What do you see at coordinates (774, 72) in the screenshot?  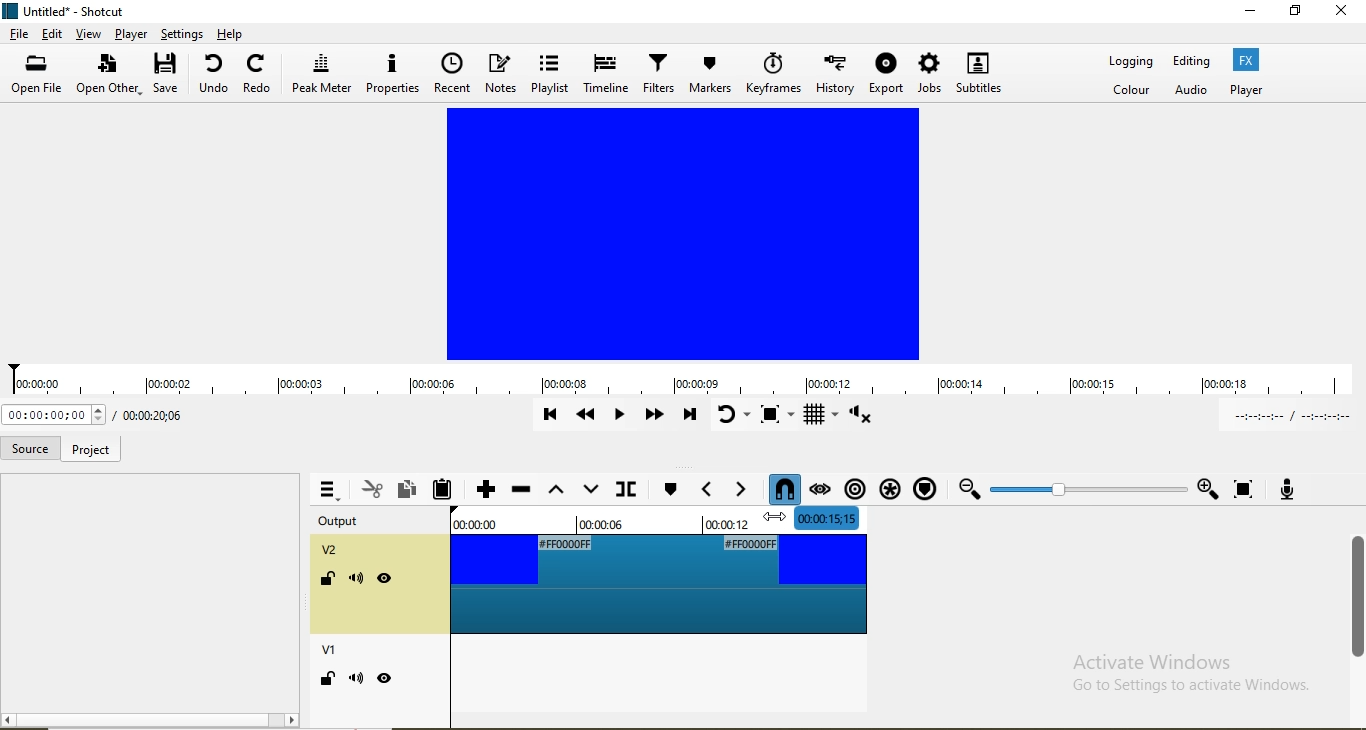 I see `keyframe` at bounding box center [774, 72].